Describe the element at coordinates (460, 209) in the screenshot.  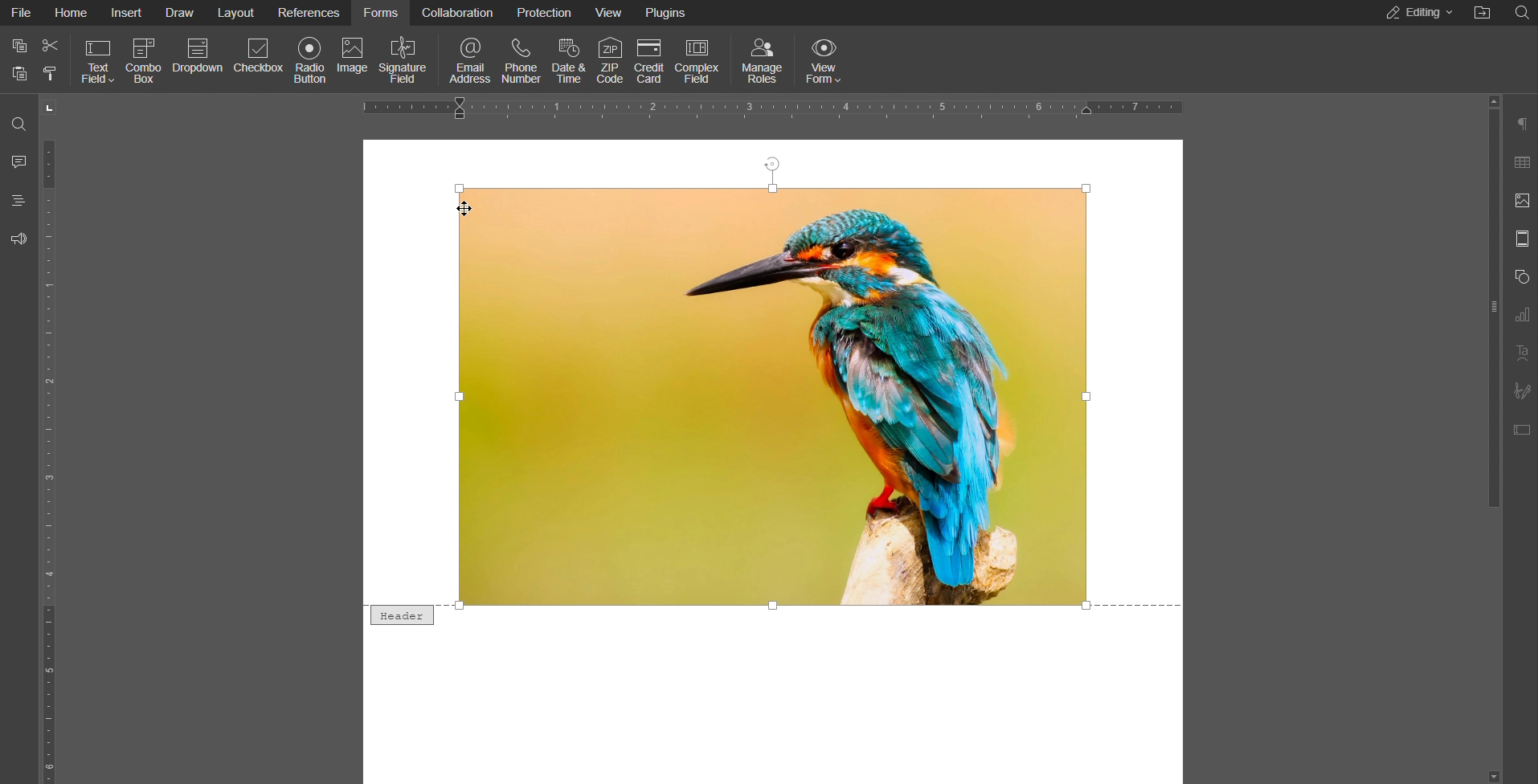
I see `cursor` at that location.